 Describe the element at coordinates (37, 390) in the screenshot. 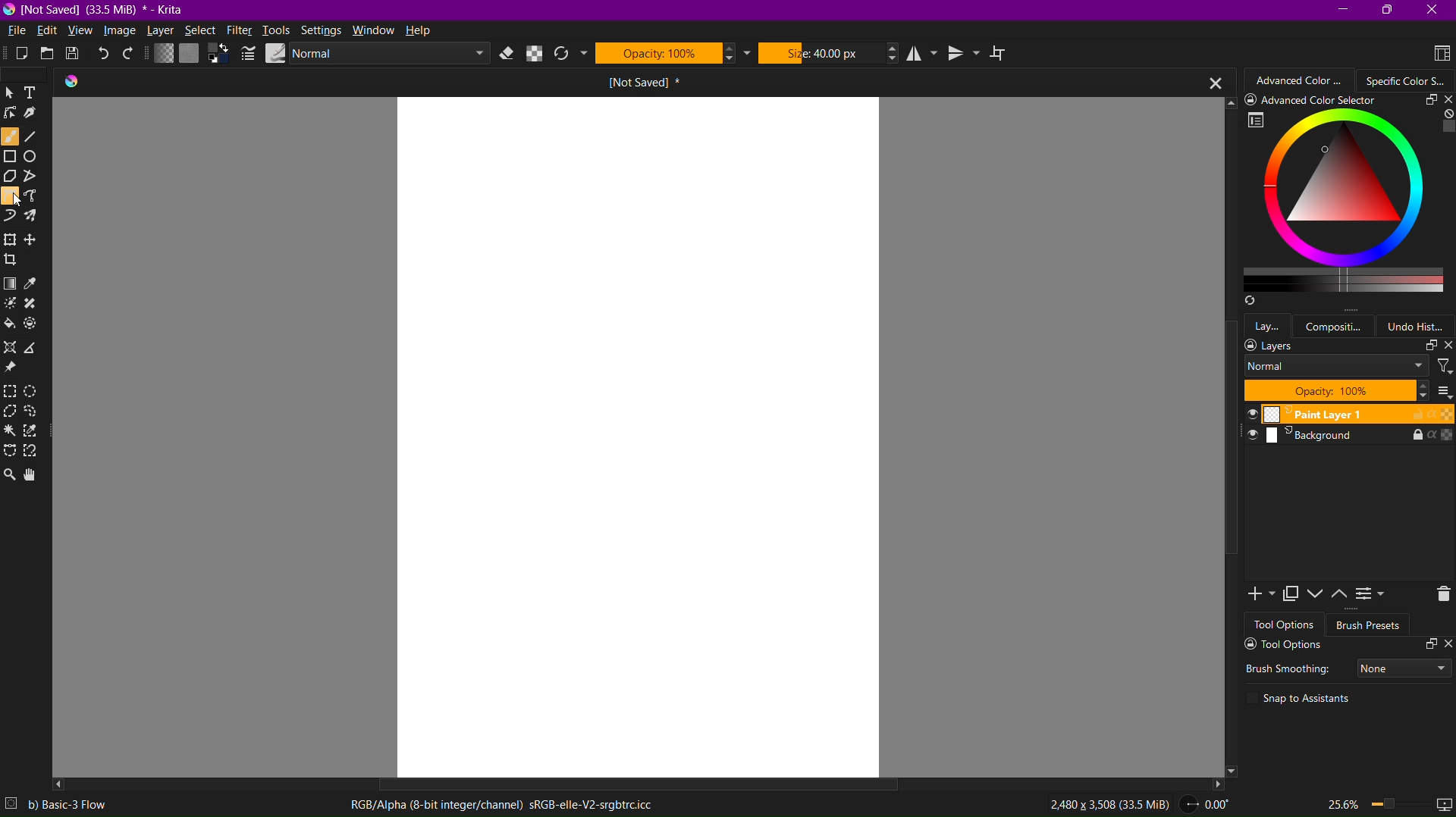

I see `Elliptical Selection Tool` at that location.